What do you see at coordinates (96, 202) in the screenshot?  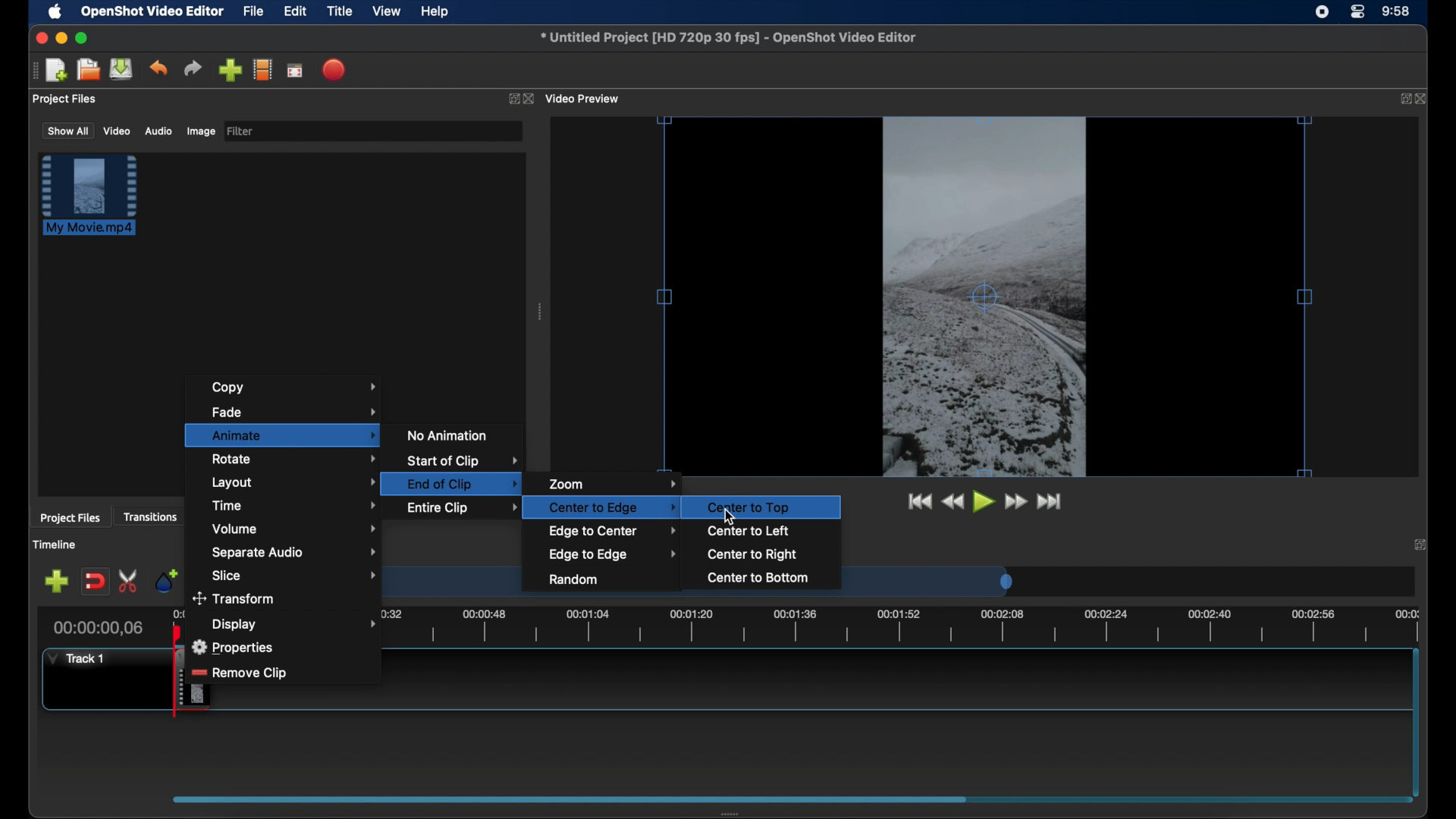 I see `clip highlighted` at bounding box center [96, 202].